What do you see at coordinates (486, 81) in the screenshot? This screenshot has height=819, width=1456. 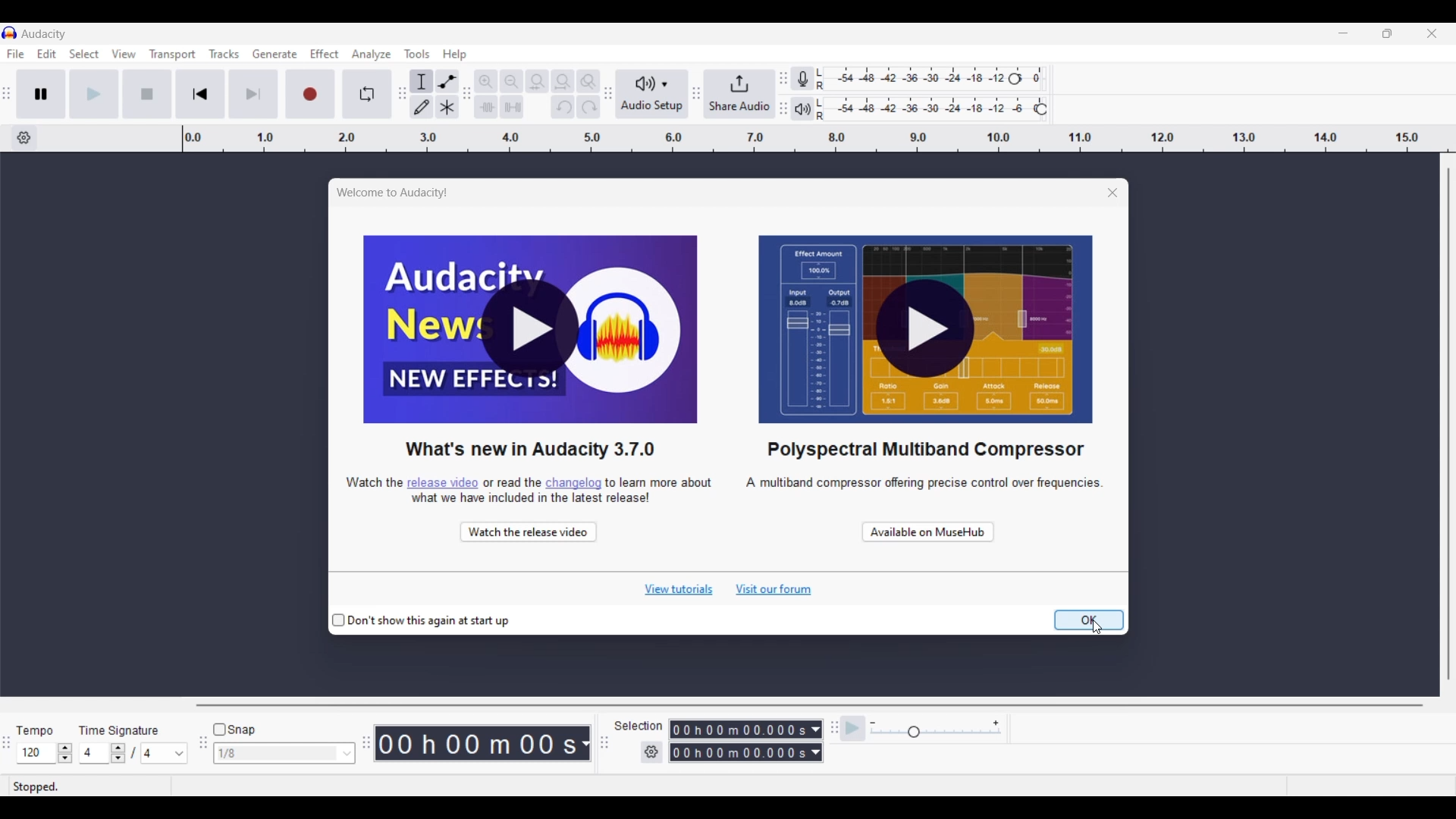 I see `Zoom in` at bounding box center [486, 81].